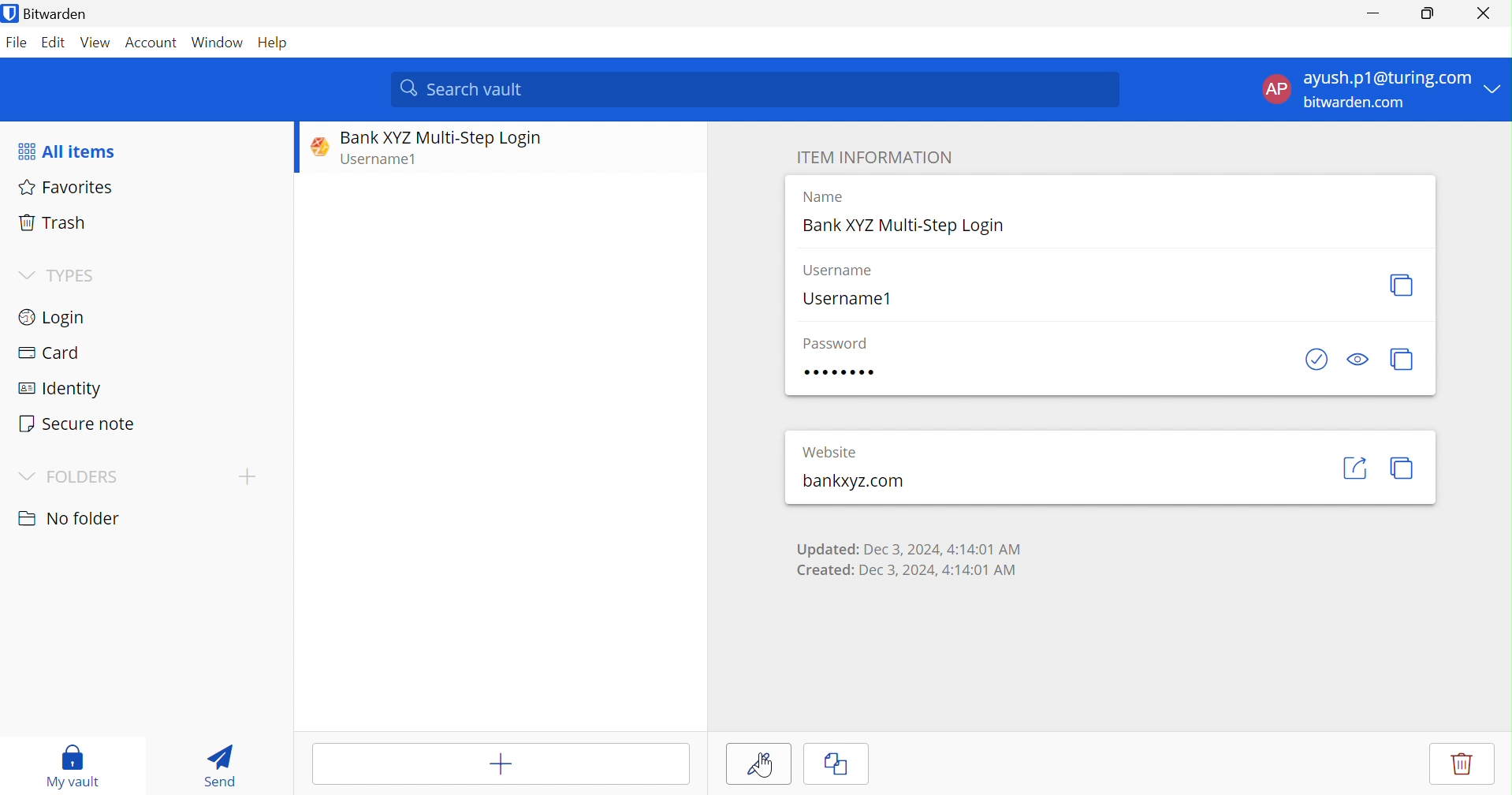 Image resolution: width=1512 pixels, height=795 pixels. I want to click on Trash, so click(51, 220).